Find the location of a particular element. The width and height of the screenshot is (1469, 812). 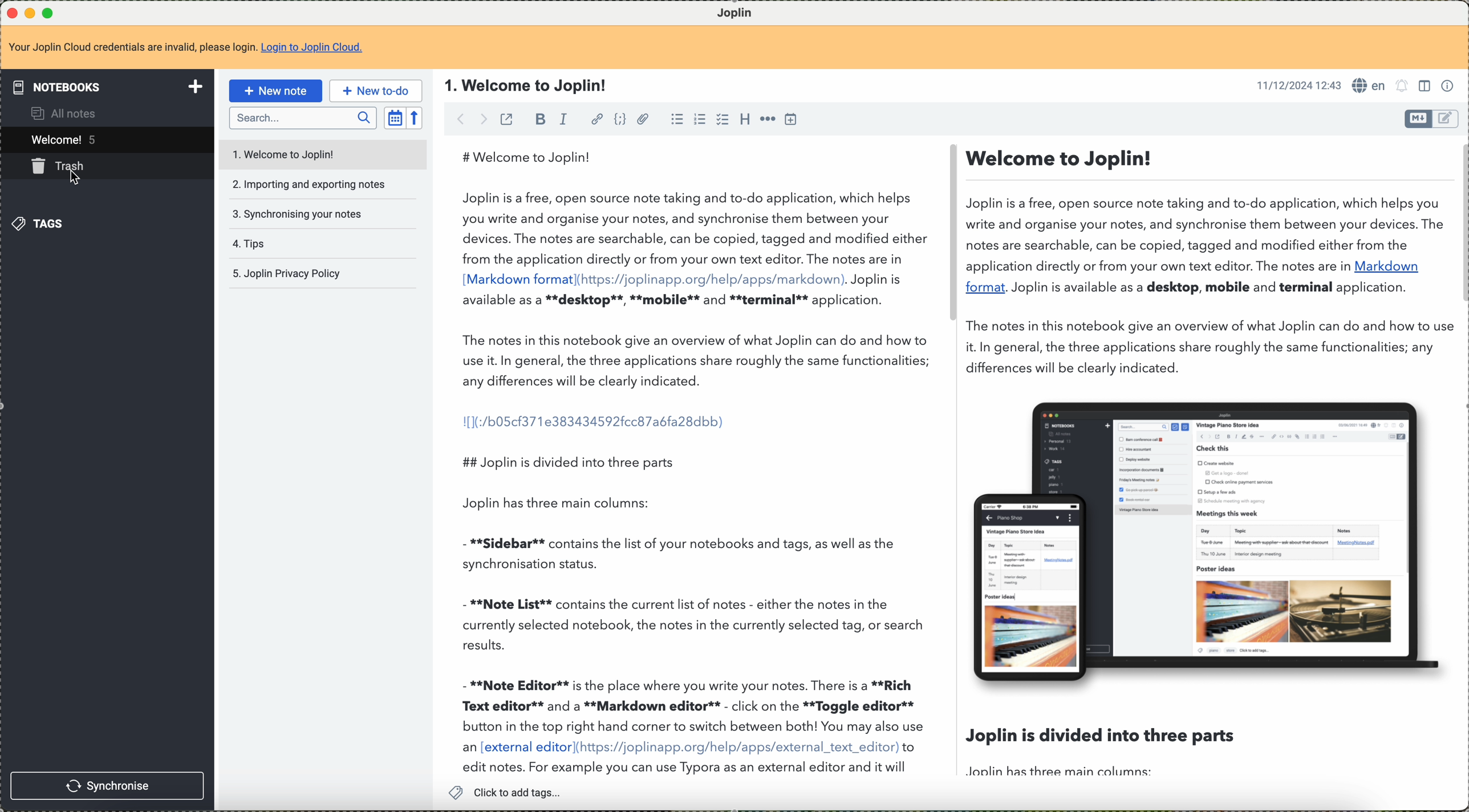

numbered list is located at coordinates (699, 120).